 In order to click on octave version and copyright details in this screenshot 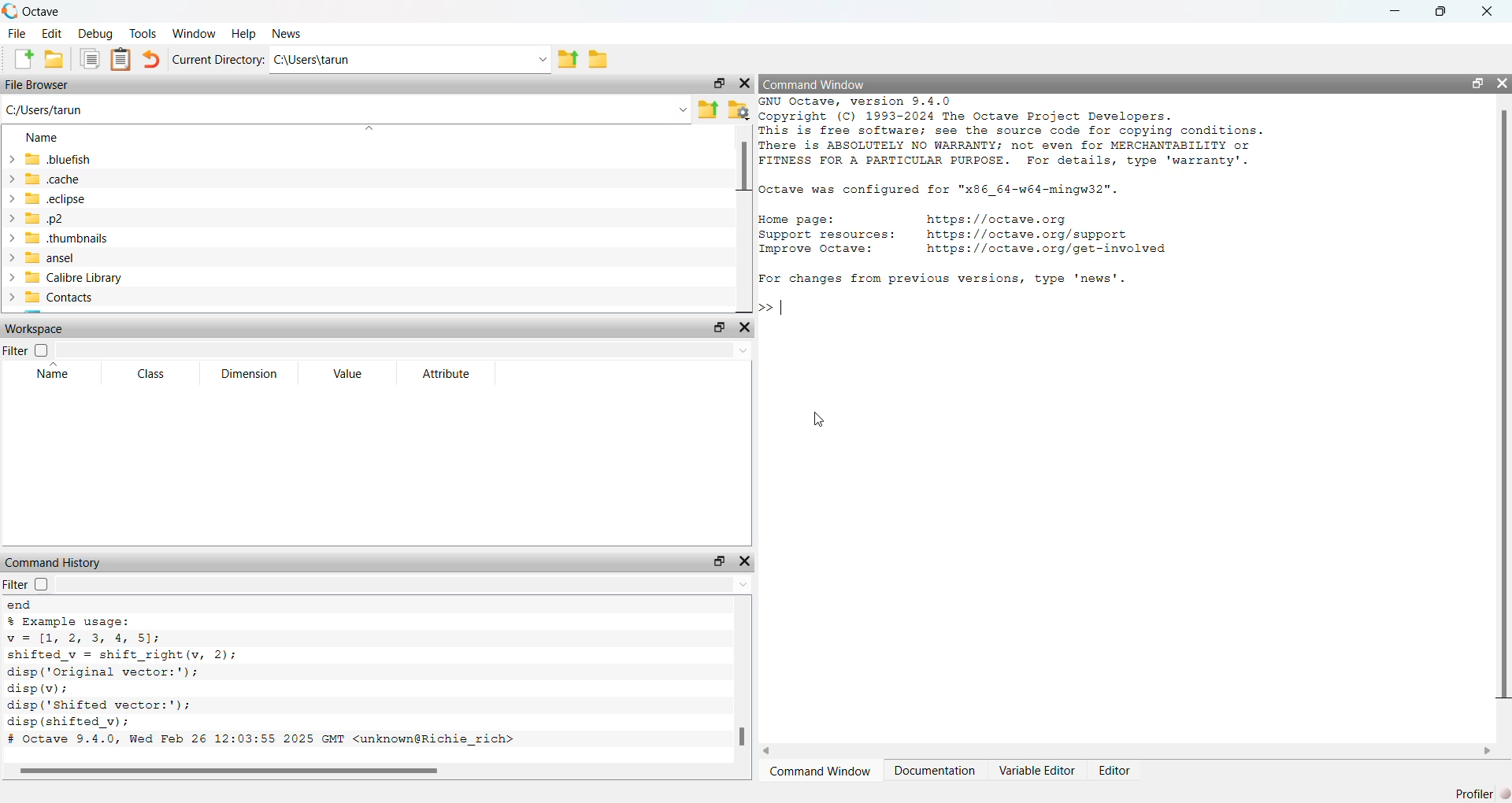, I will do `click(1032, 133)`.